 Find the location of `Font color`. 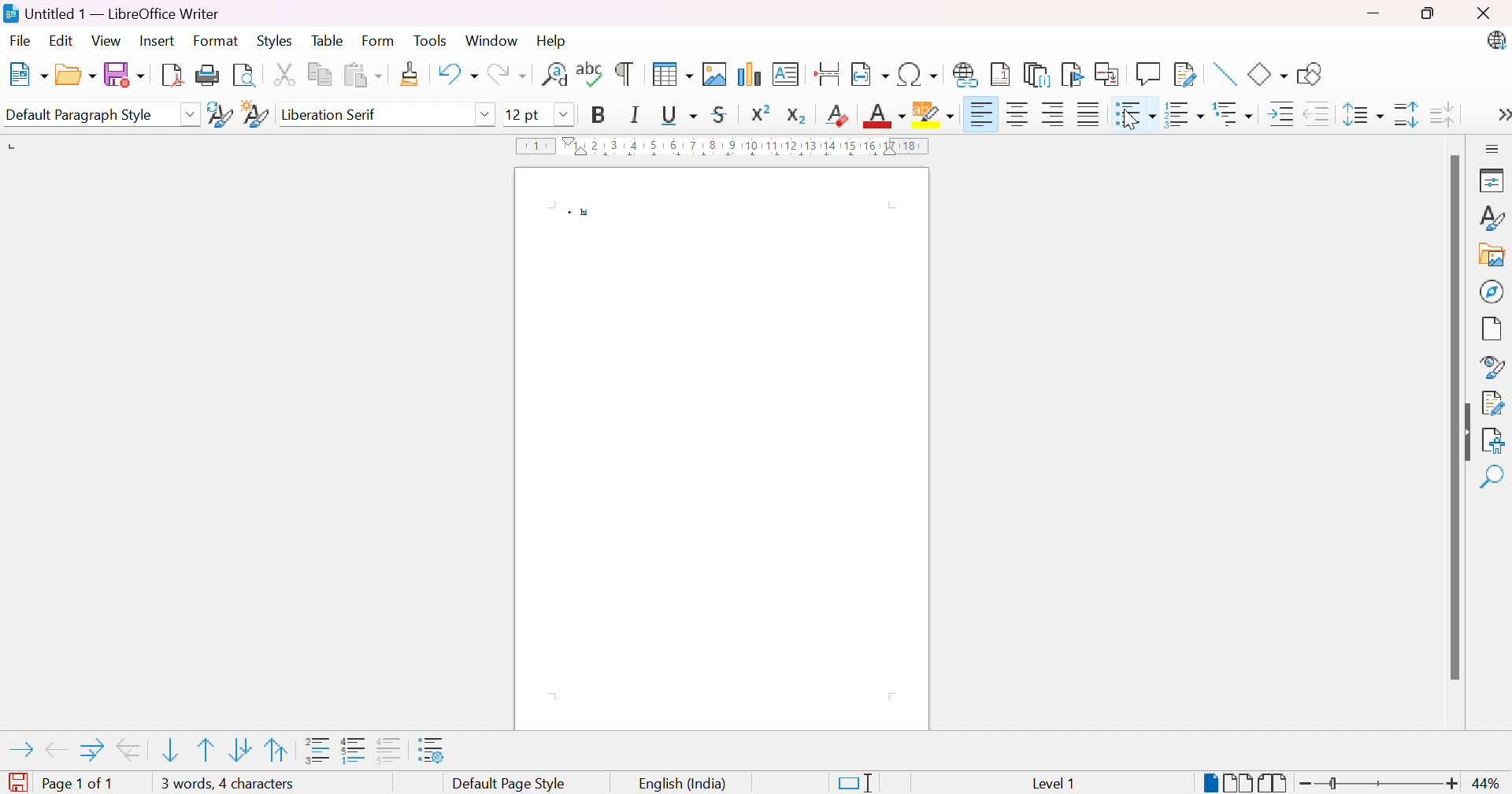

Font color is located at coordinates (884, 116).